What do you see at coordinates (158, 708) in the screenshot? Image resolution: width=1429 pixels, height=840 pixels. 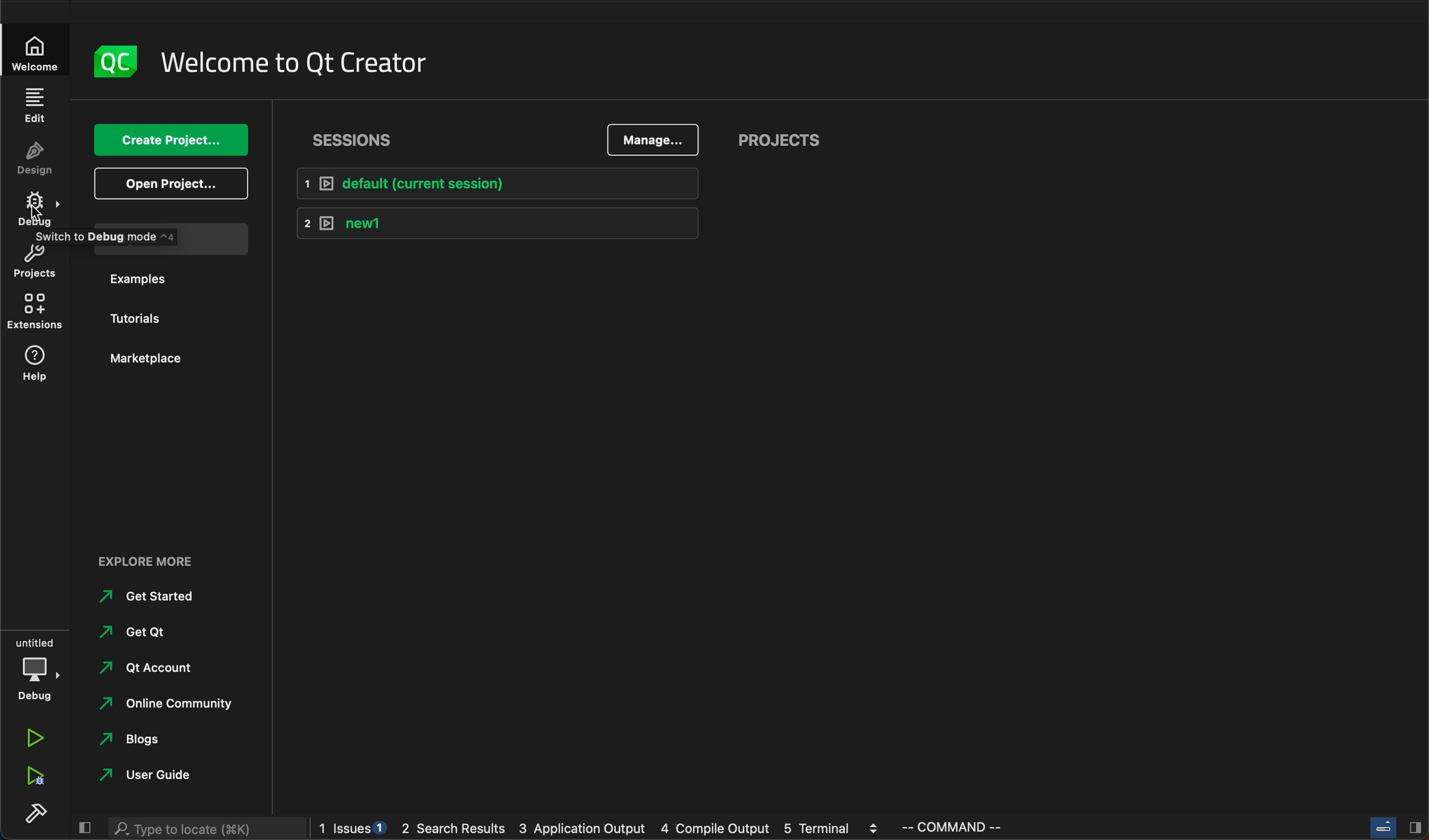 I see `community` at bounding box center [158, 708].